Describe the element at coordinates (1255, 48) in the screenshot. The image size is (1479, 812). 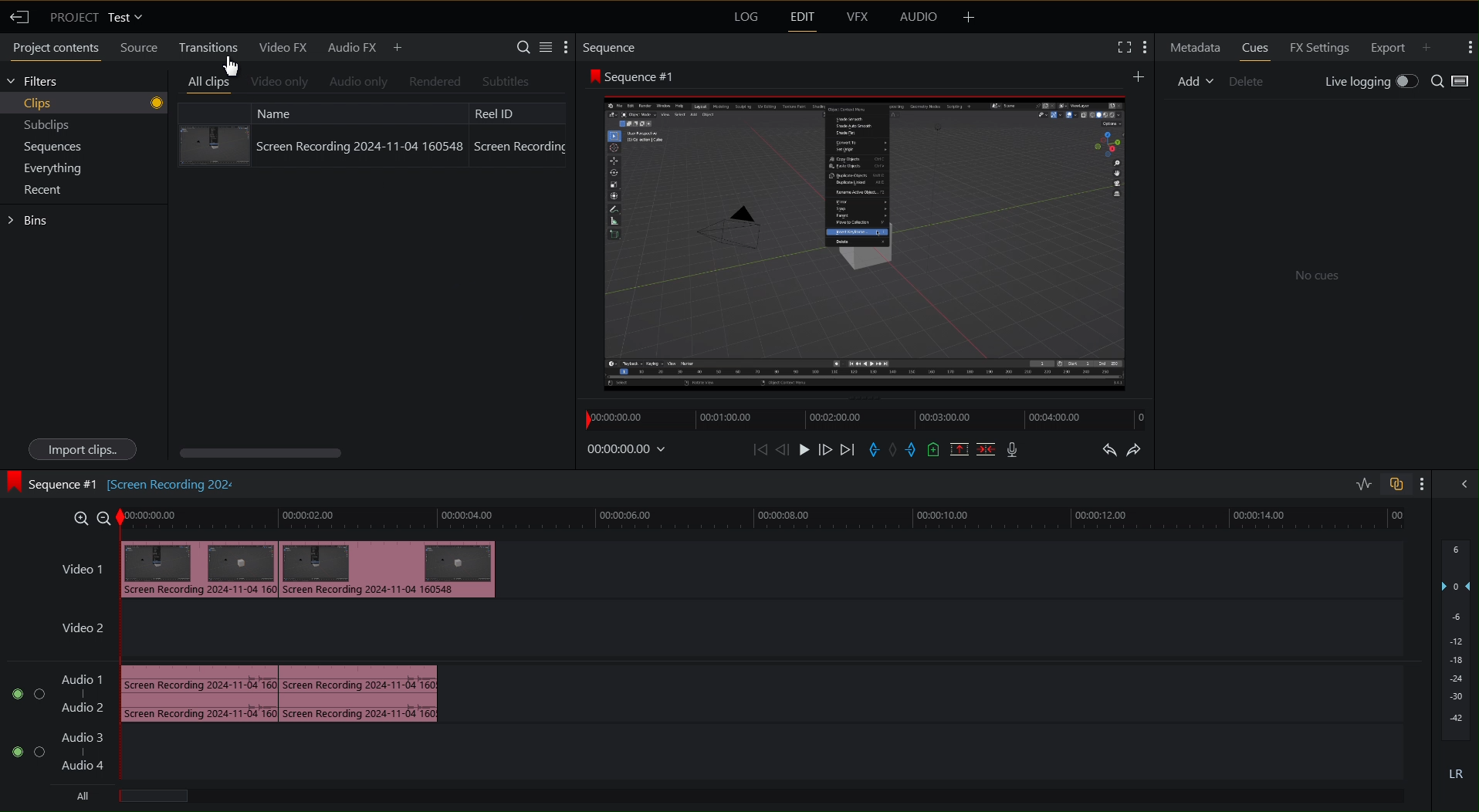
I see `Cues` at that location.